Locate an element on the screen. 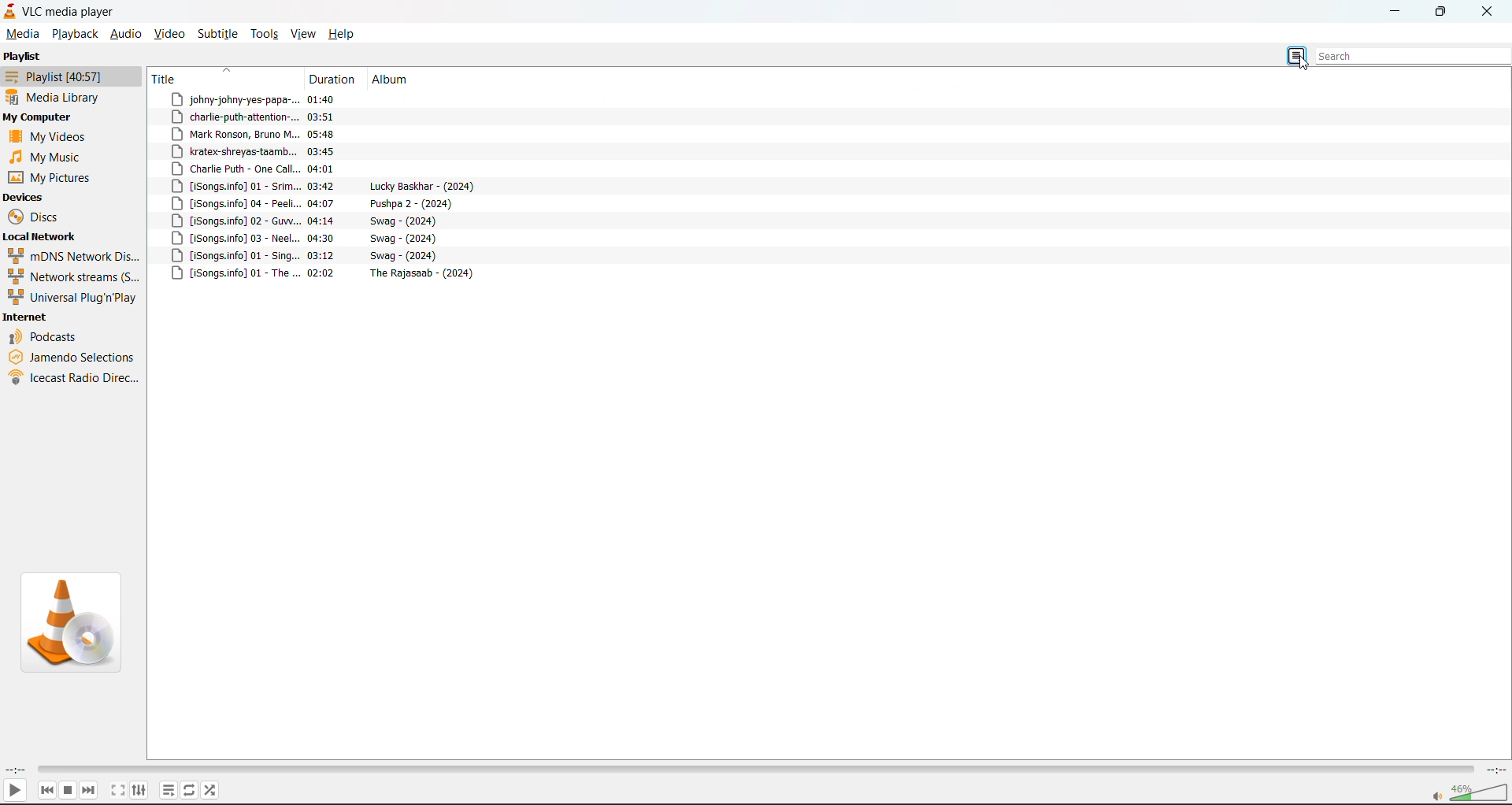 Image resolution: width=1512 pixels, height=805 pixels. universal plug n play is located at coordinates (72, 299).